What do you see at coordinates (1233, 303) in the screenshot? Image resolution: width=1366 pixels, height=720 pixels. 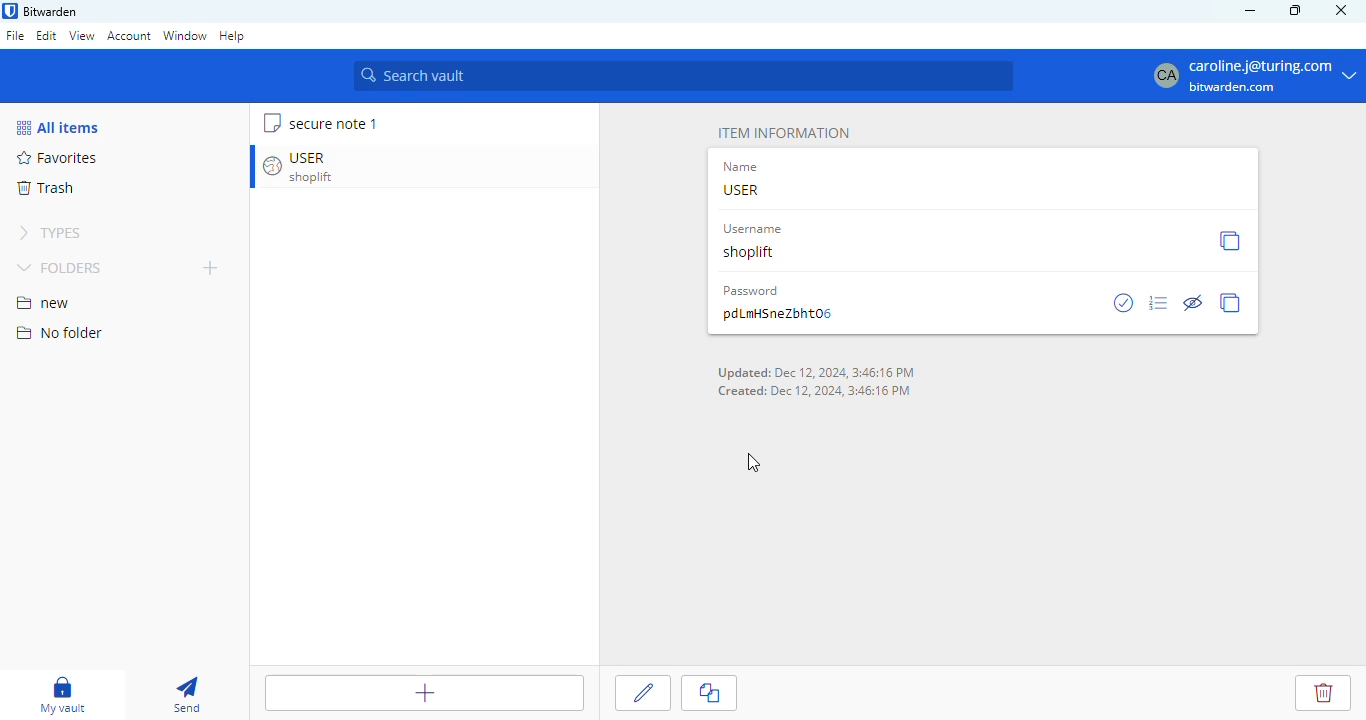 I see `copy password` at bounding box center [1233, 303].